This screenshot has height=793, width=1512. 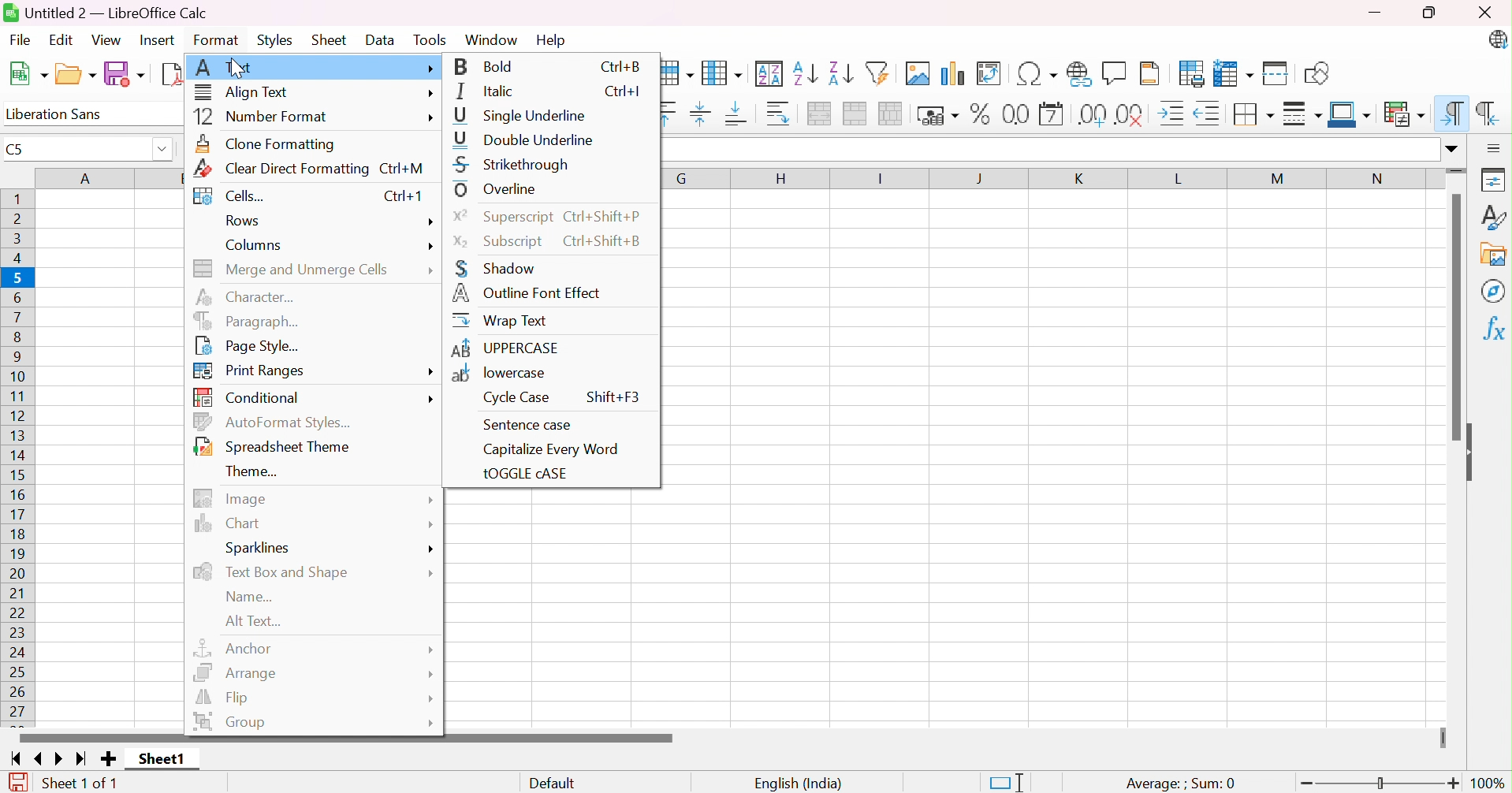 I want to click on Functions, so click(x=1496, y=329).